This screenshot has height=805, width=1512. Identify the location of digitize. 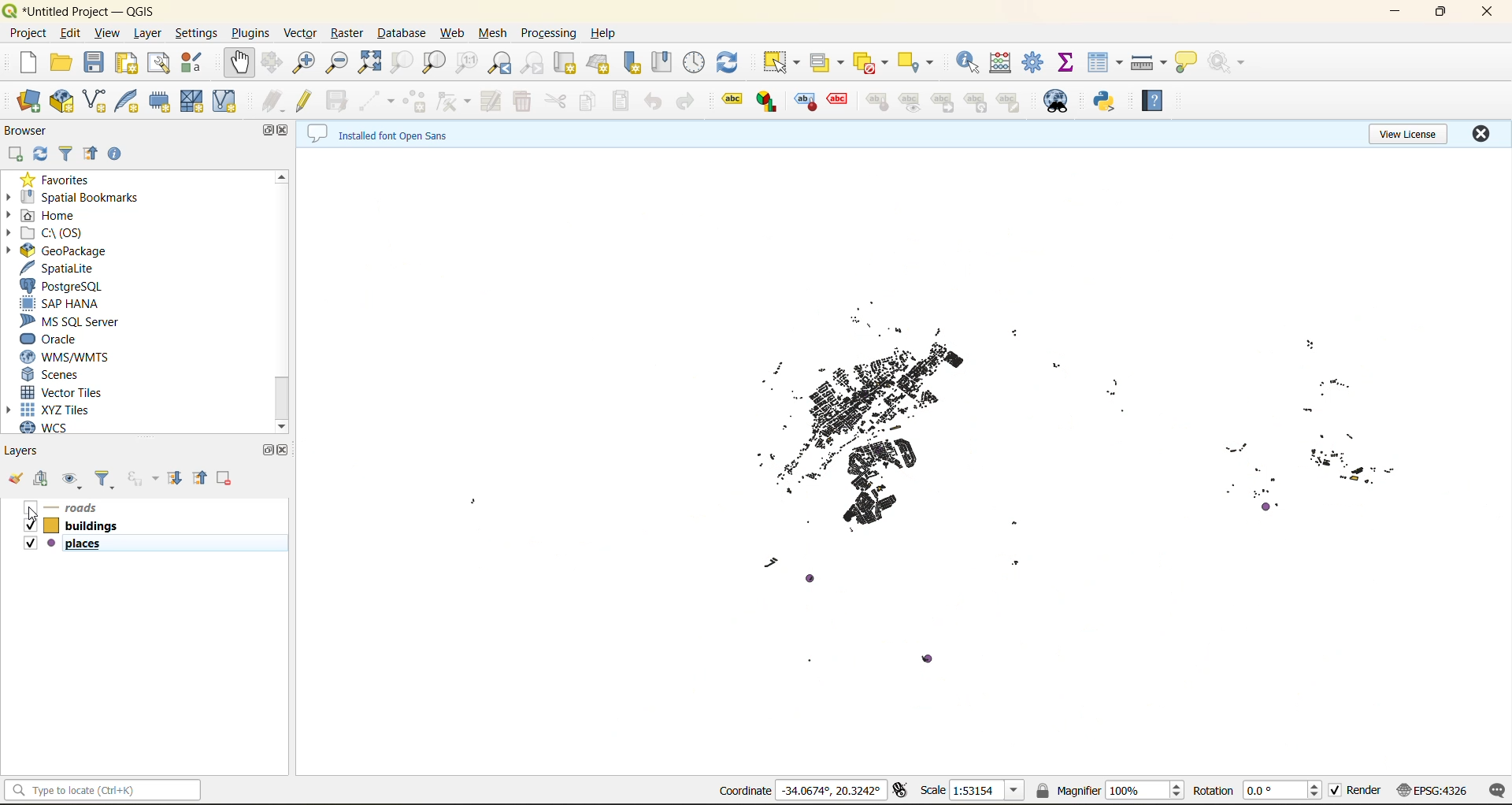
(374, 101).